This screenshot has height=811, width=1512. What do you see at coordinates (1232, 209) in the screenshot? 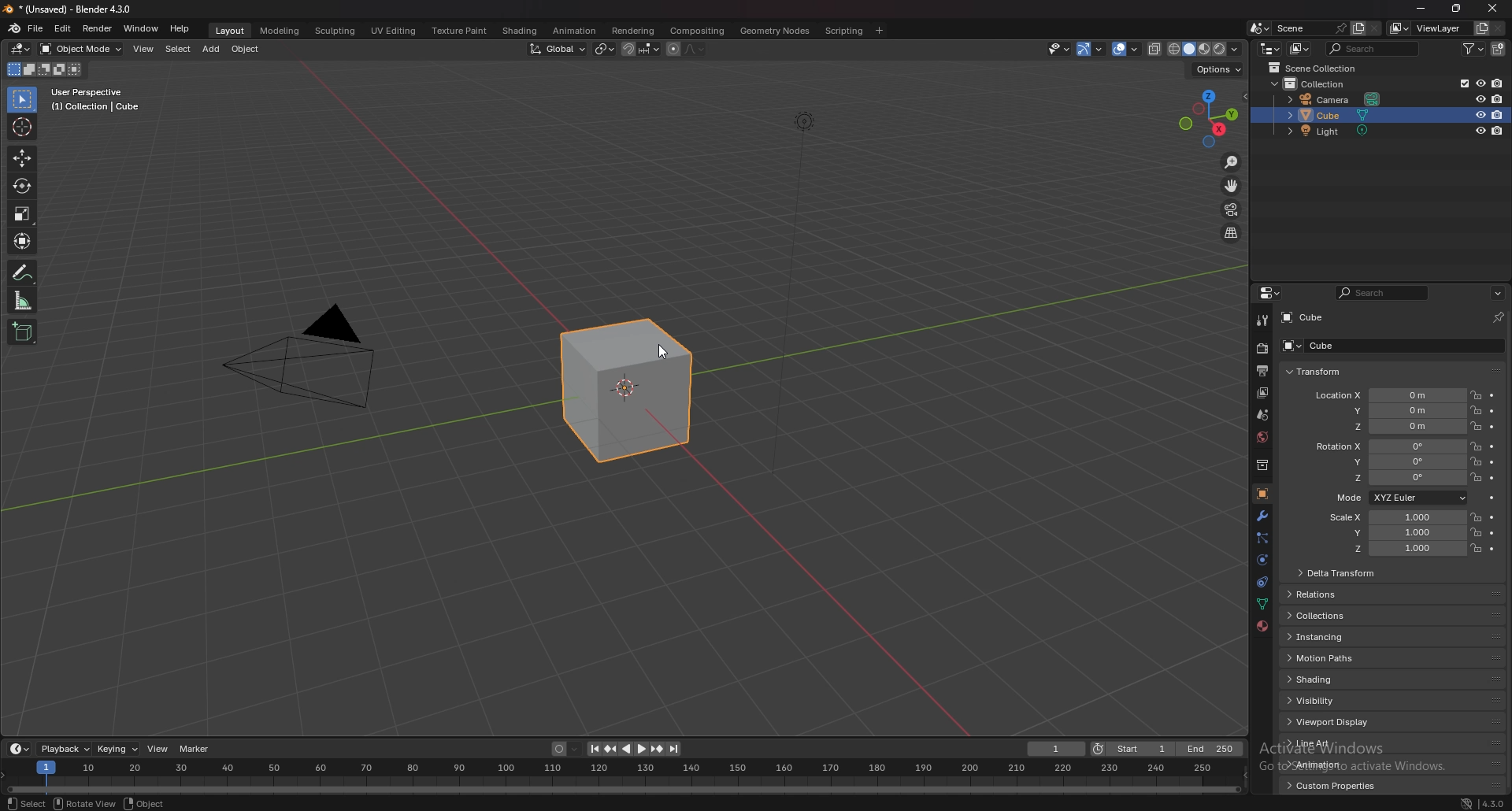
I see `camera view` at bounding box center [1232, 209].